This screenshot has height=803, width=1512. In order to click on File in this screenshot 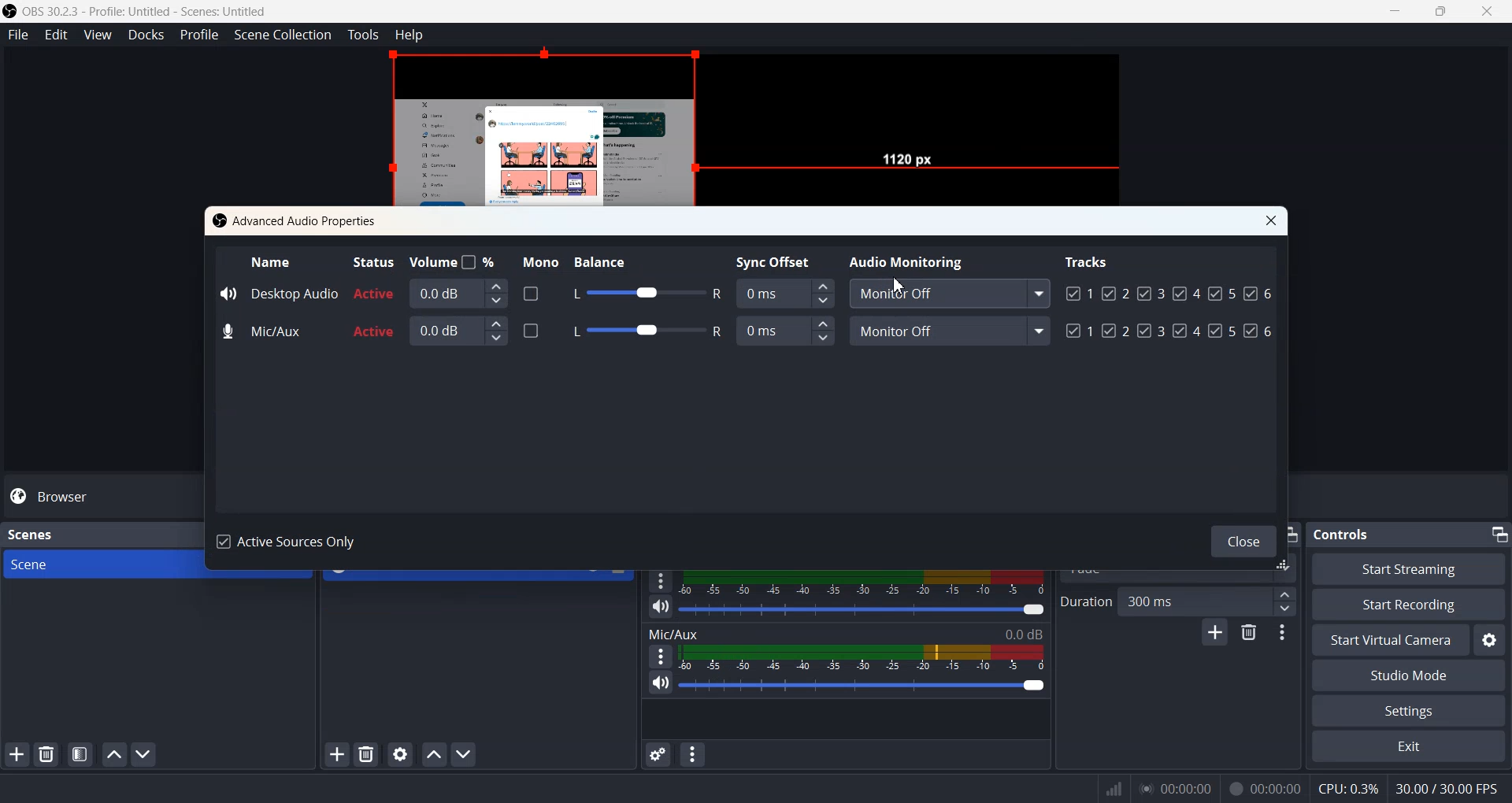, I will do `click(18, 35)`.